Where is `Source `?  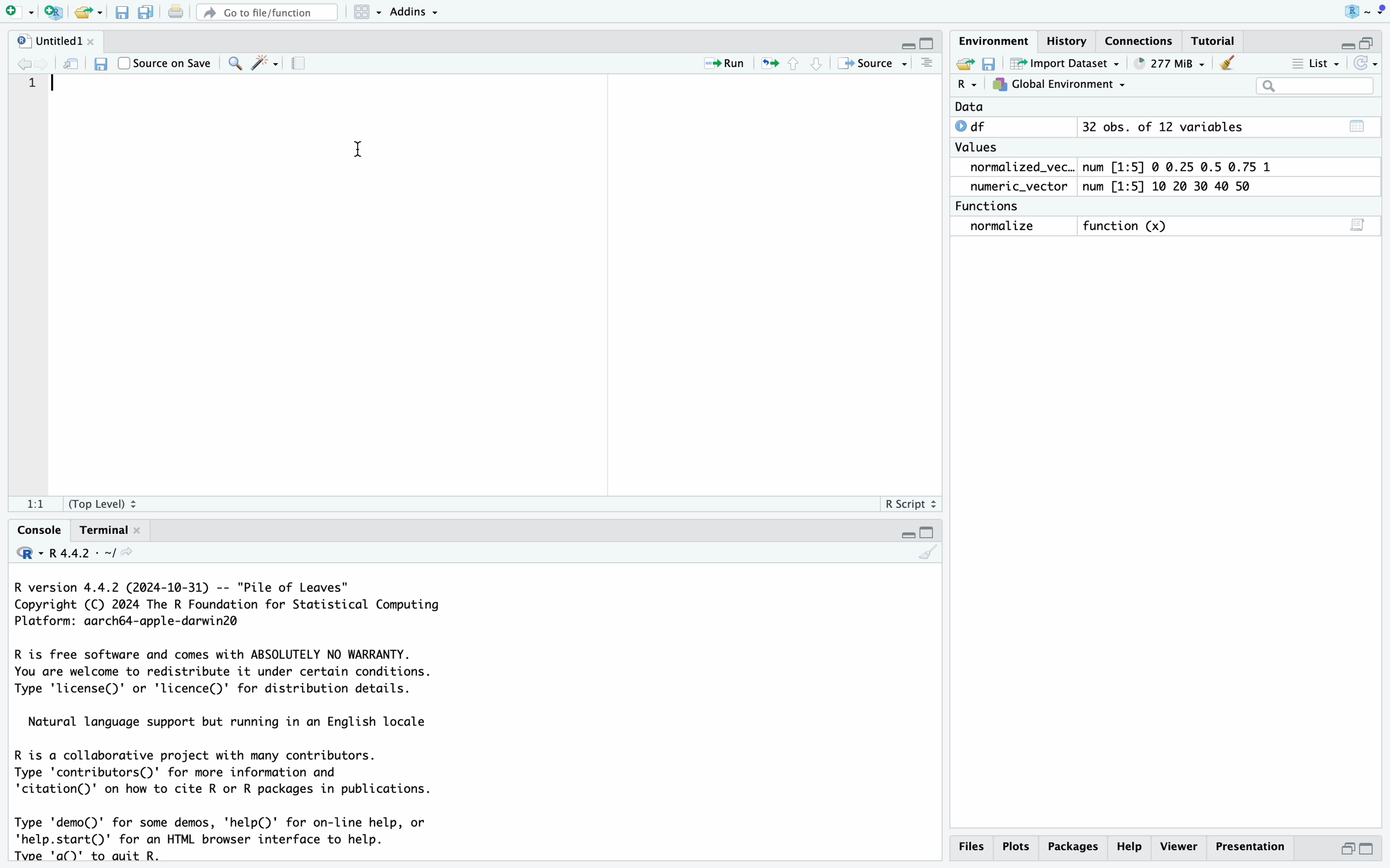 Source  is located at coordinates (875, 63).